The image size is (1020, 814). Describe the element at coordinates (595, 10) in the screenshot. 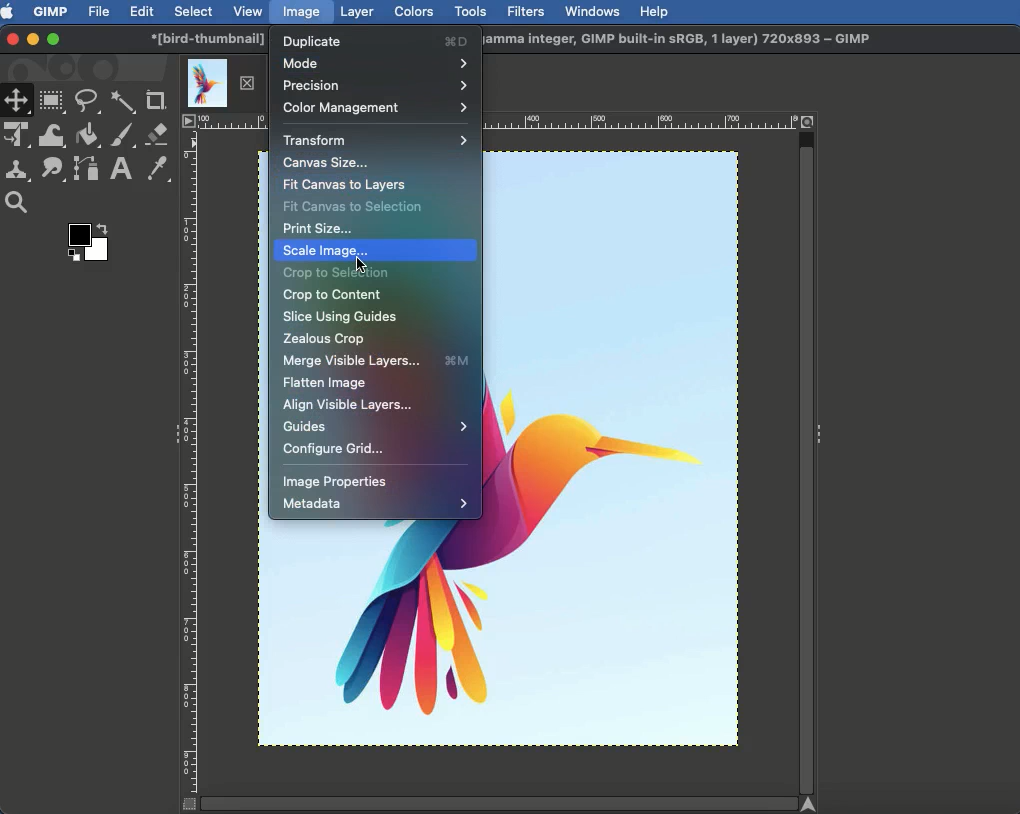

I see `Window` at that location.